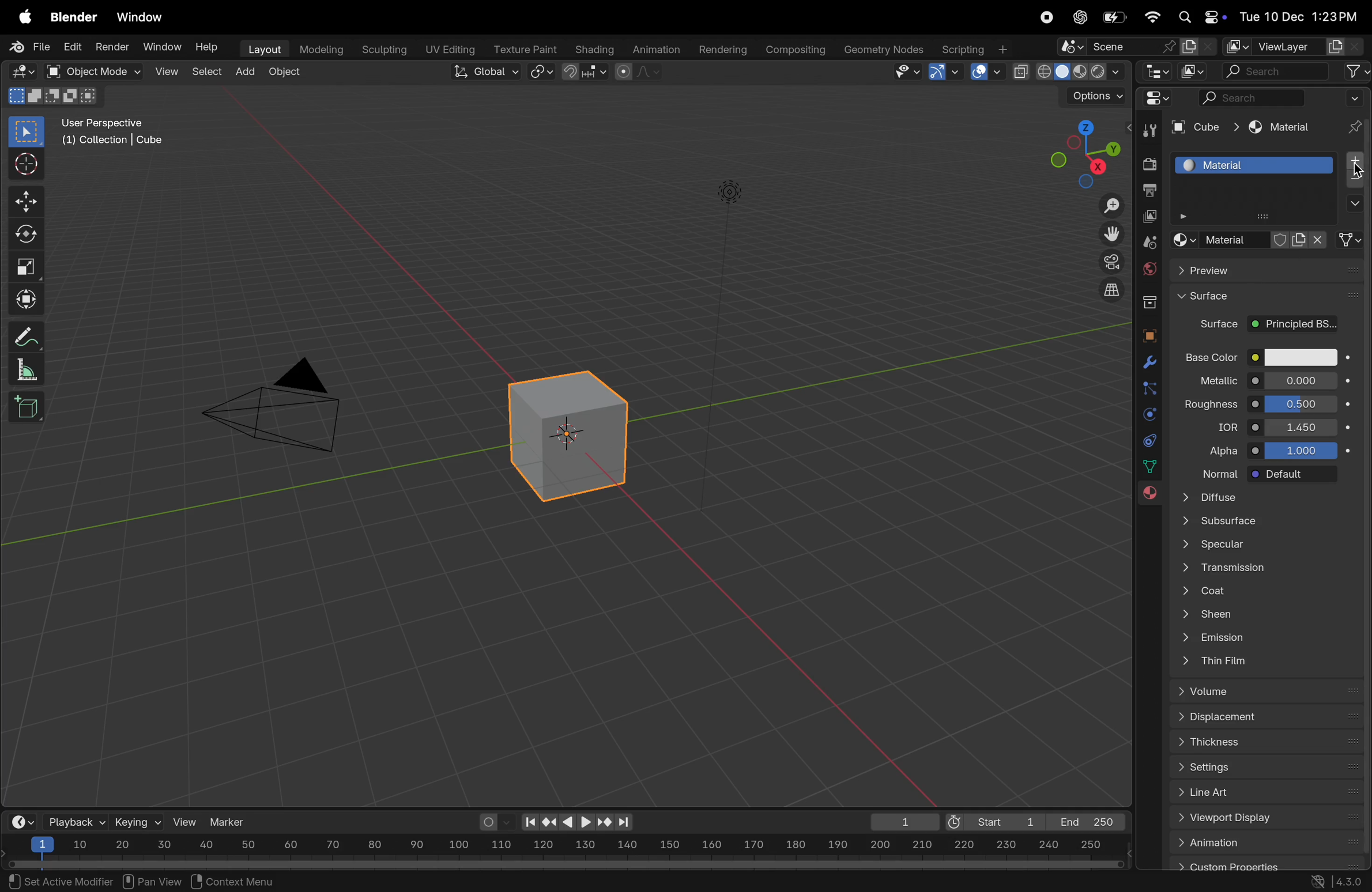 Image resolution: width=1372 pixels, height=892 pixels. I want to click on thickness, so click(1259, 741).